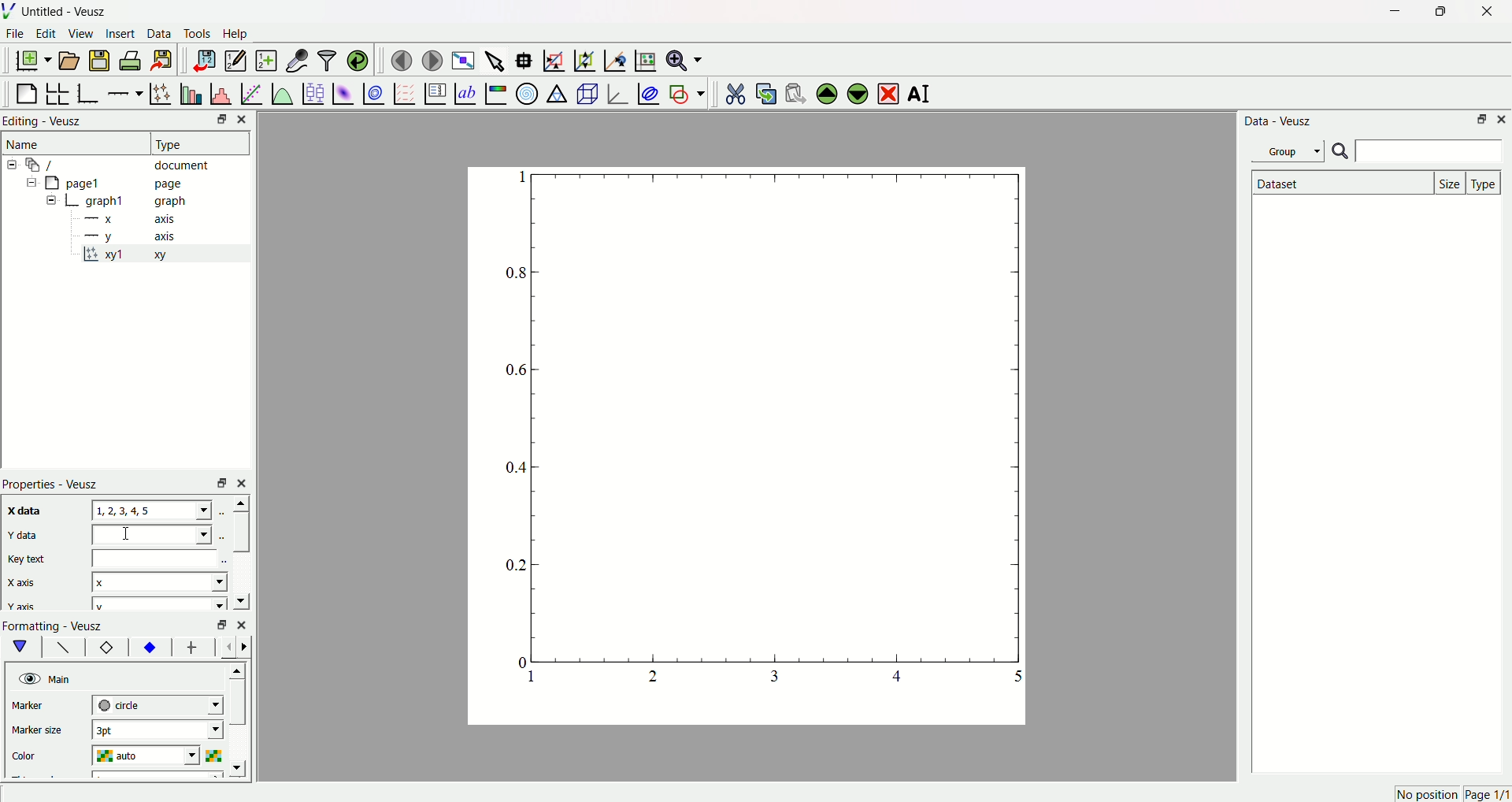 This screenshot has width=1512, height=802. What do you see at coordinates (239, 503) in the screenshot?
I see `move up` at bounding box center [239, 503].